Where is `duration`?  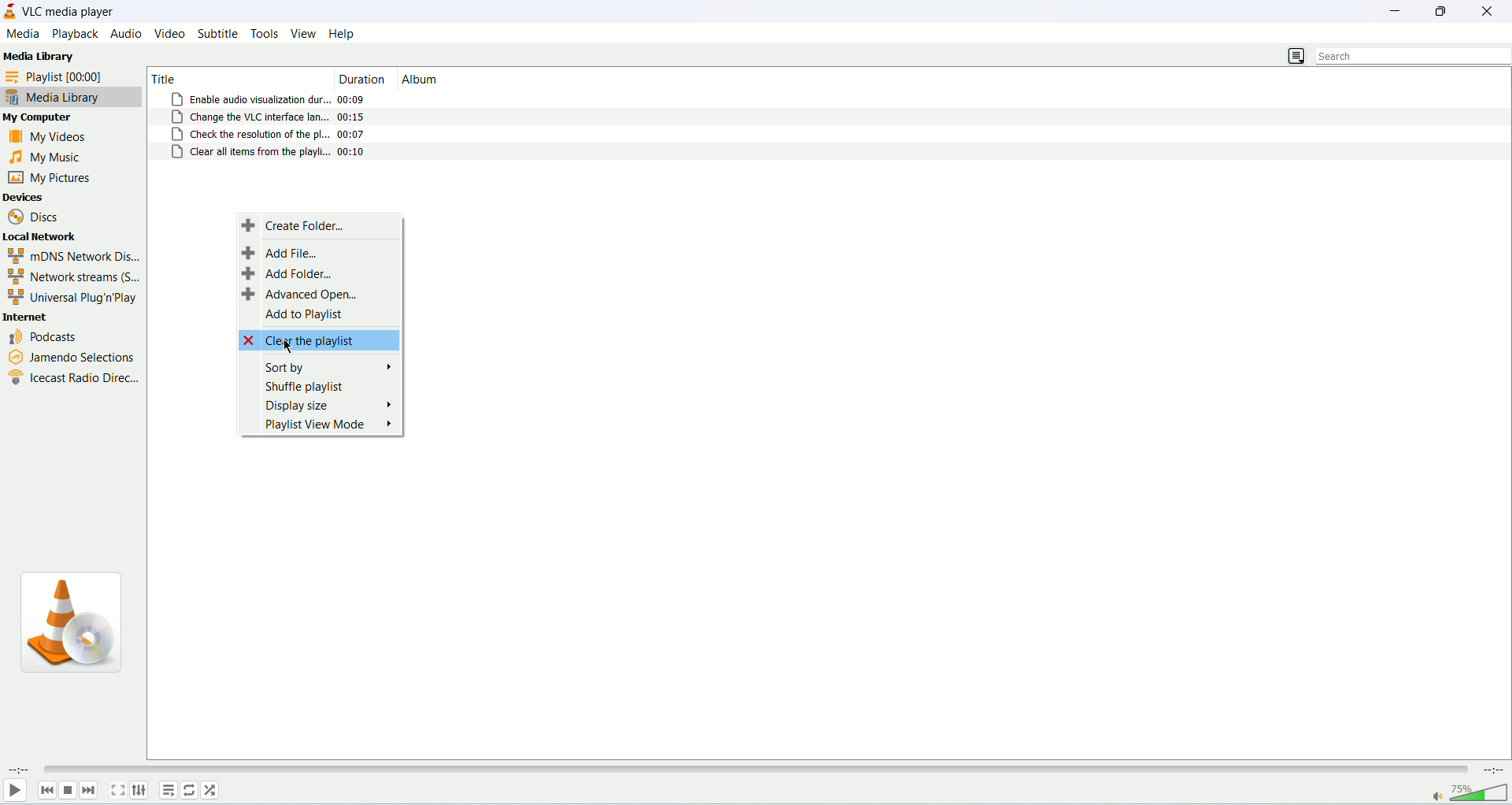
duration is located at coordinates (365, 79).